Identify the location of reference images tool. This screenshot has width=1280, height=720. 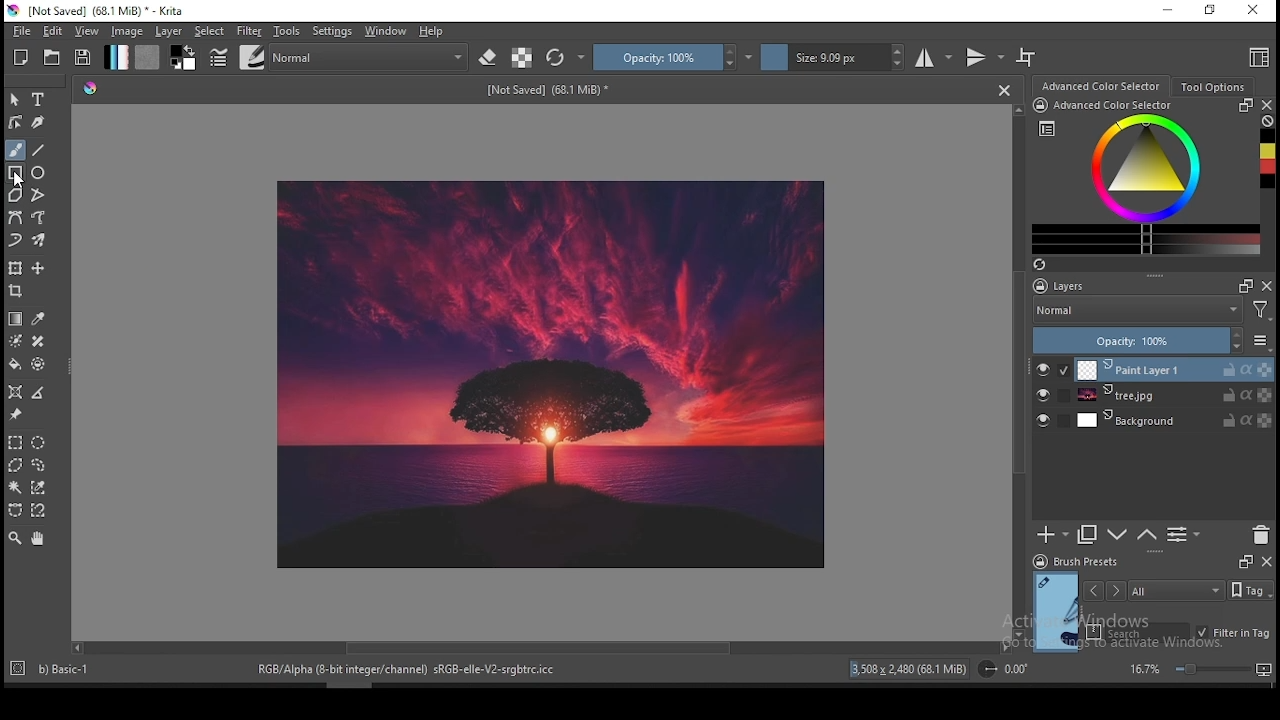
(16, 415).